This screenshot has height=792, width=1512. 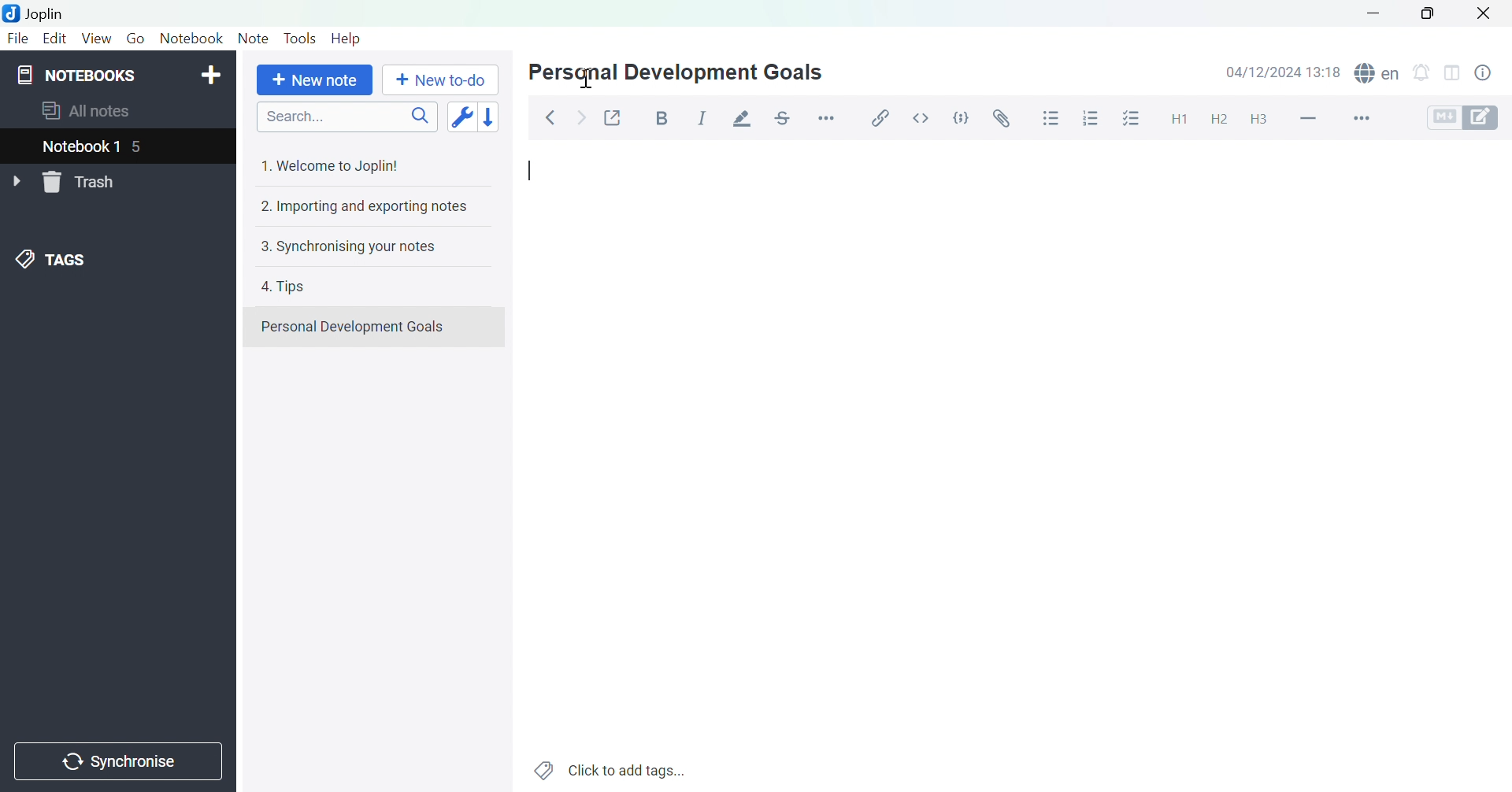 What do you see at coordinates (287, 287) in the screenshot?
I see `4. Tips` at bounding box center [287, 287].